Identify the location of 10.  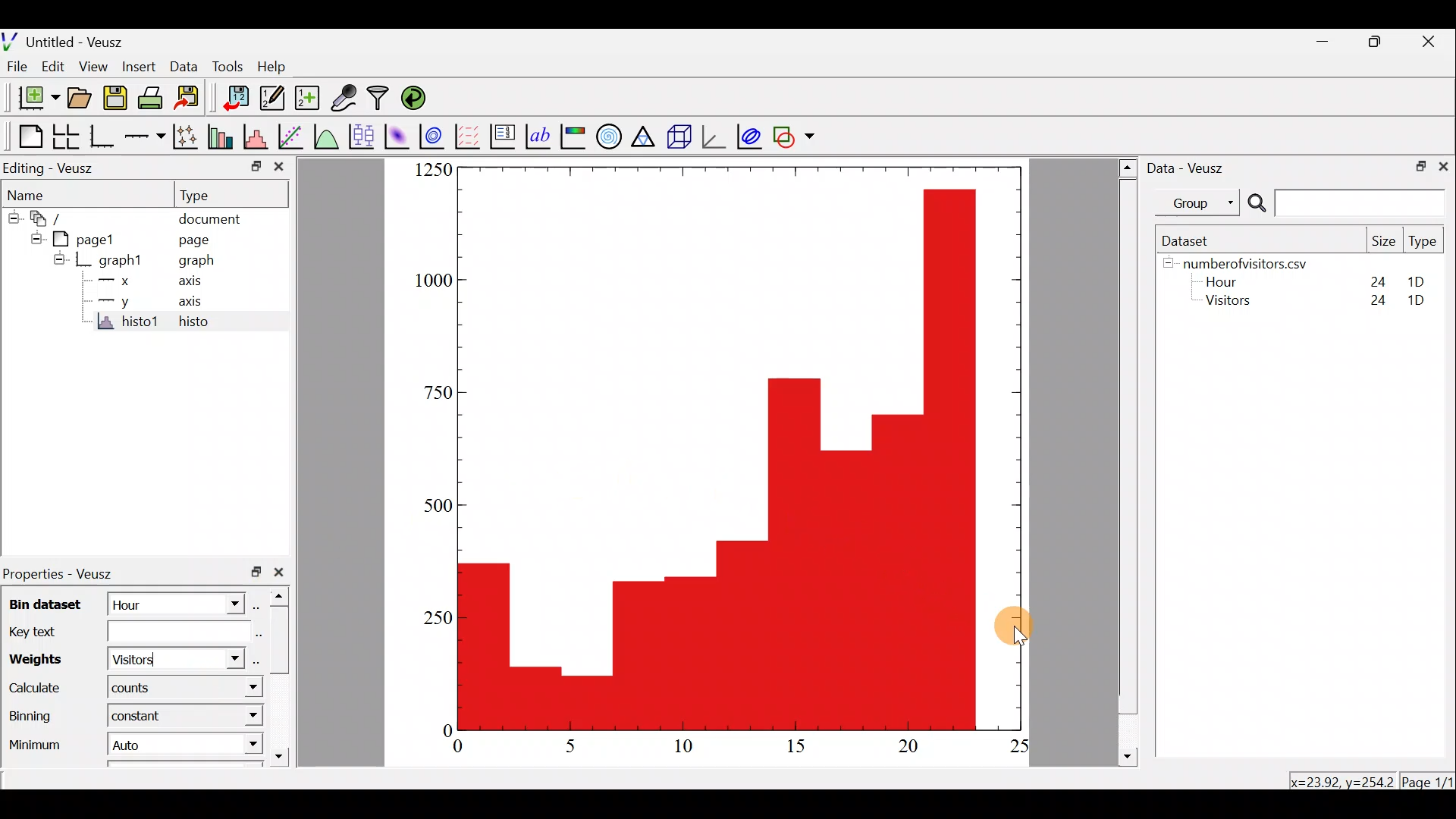
(689, 747).